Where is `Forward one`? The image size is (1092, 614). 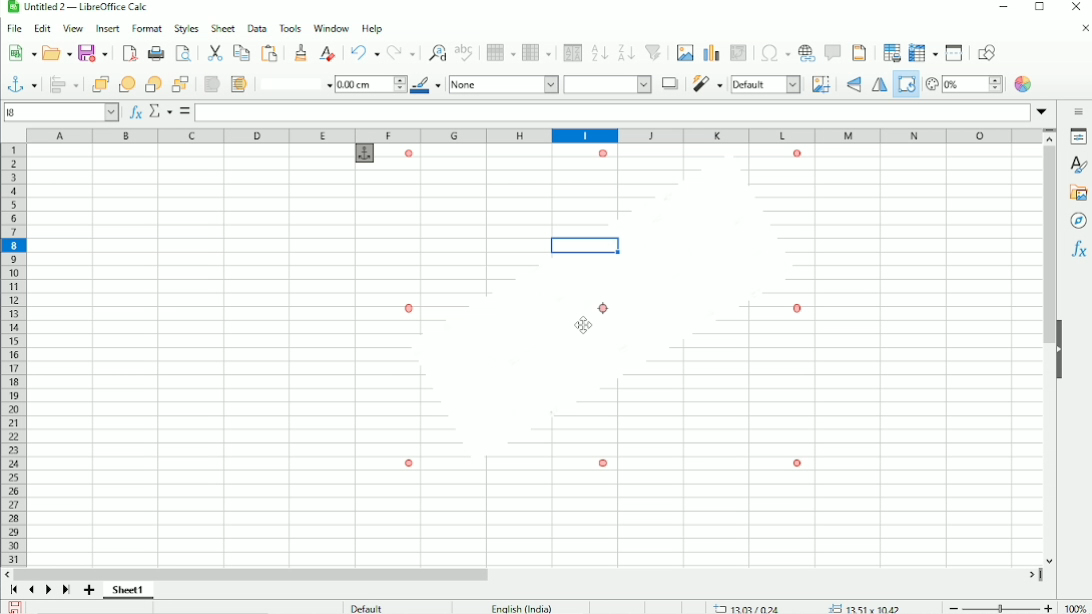 Forward one is located at coordinates (125, 83).